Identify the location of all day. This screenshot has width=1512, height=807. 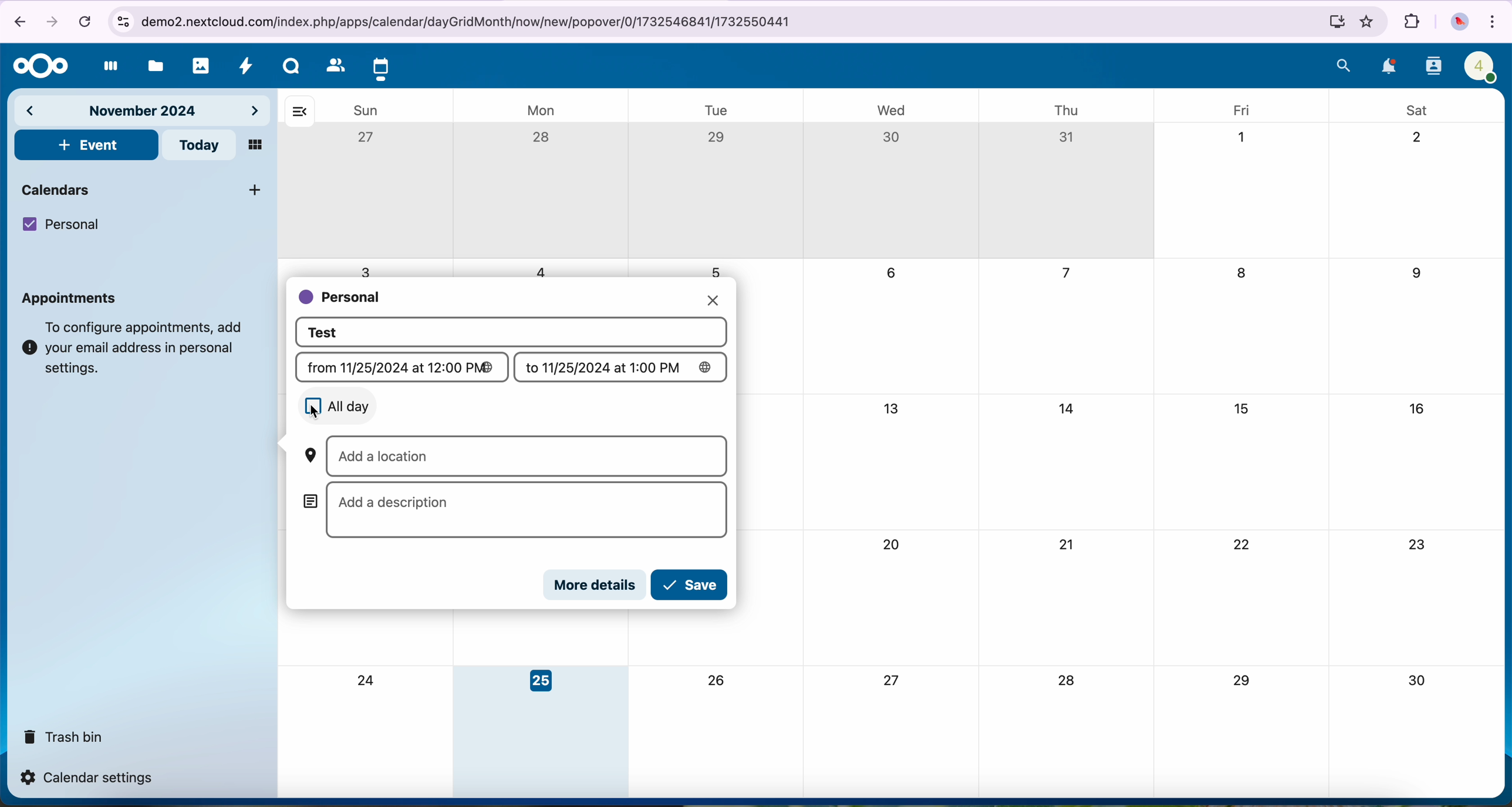
(338, 406).